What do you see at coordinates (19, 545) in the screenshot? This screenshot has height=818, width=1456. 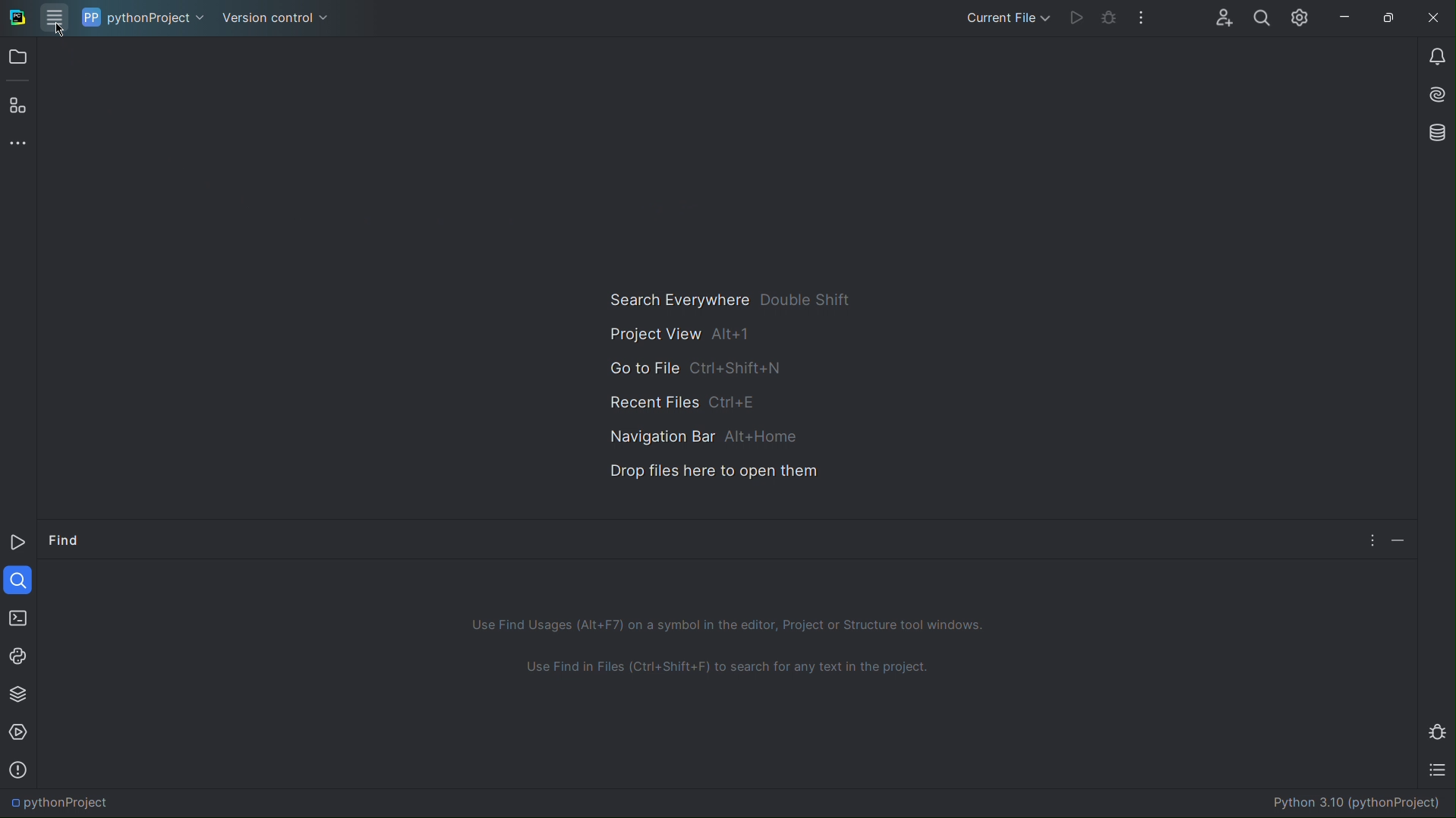 I see `Run` at bounding box center [19, 545].